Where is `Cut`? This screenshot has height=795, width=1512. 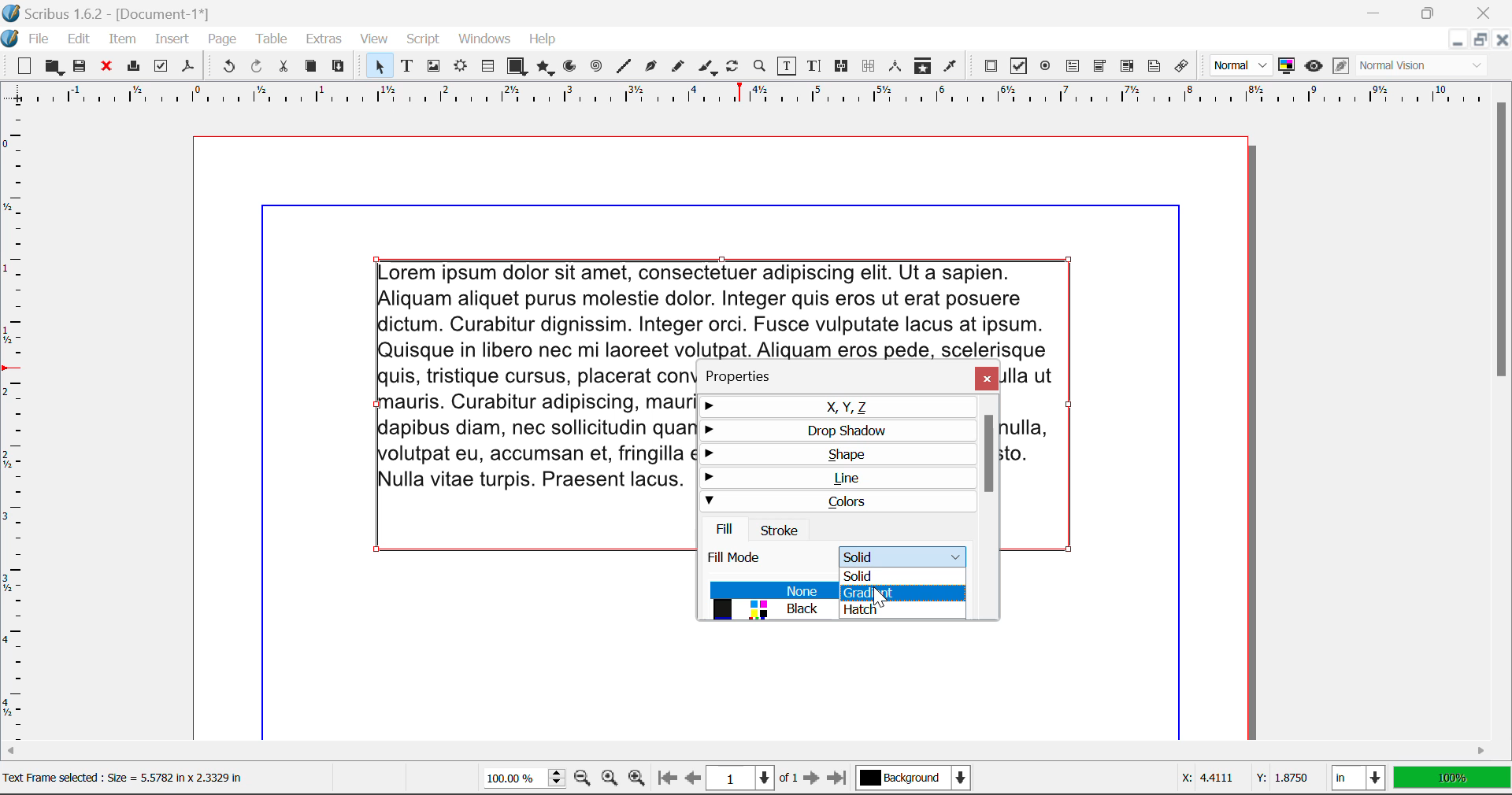 Cut is located at coordinates (283, 67).